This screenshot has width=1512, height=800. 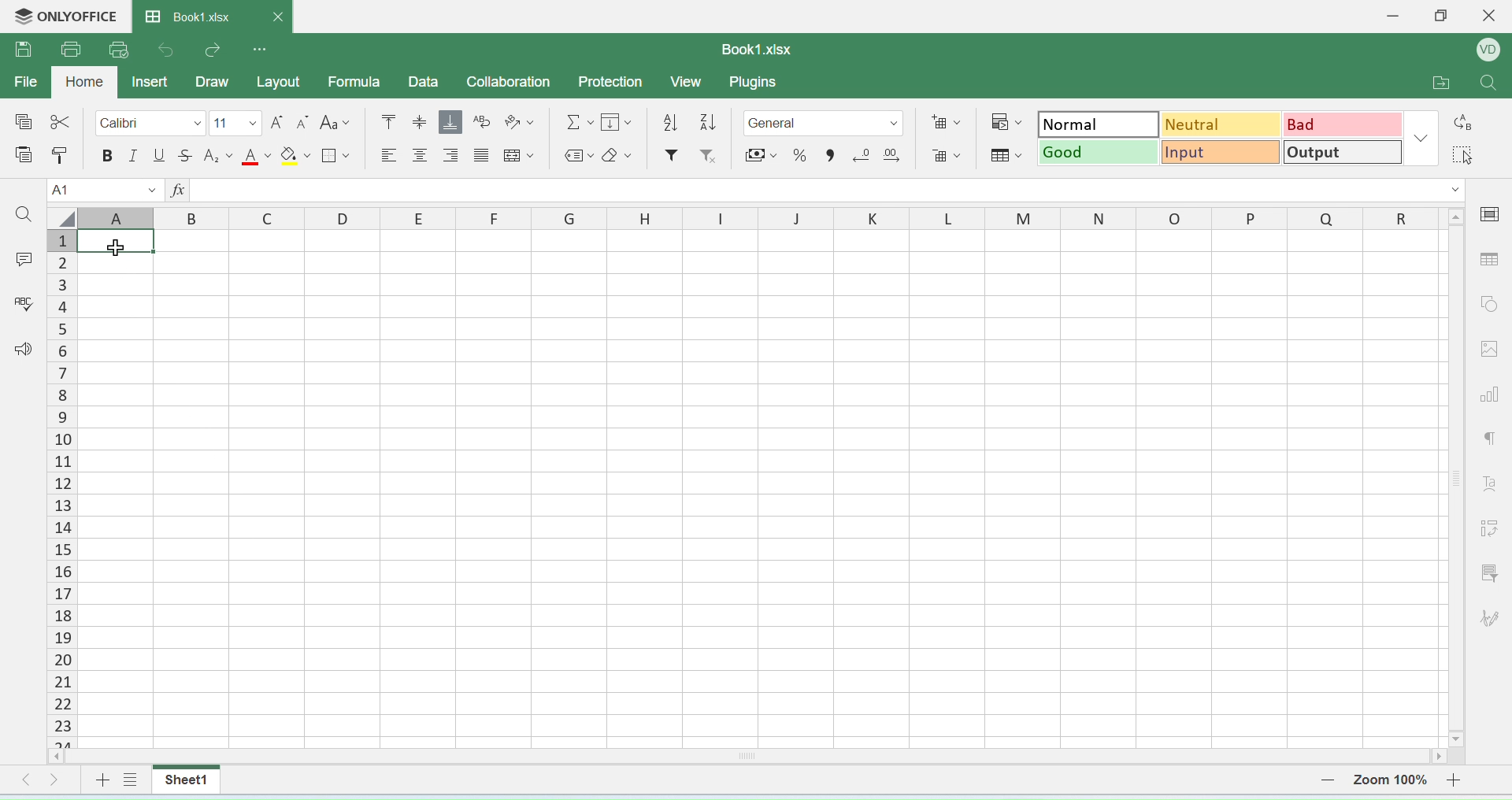 What do you see at coordinates (1218, 124) in the screenshot?
I see `neutral` at bounding box center [1218, 124].